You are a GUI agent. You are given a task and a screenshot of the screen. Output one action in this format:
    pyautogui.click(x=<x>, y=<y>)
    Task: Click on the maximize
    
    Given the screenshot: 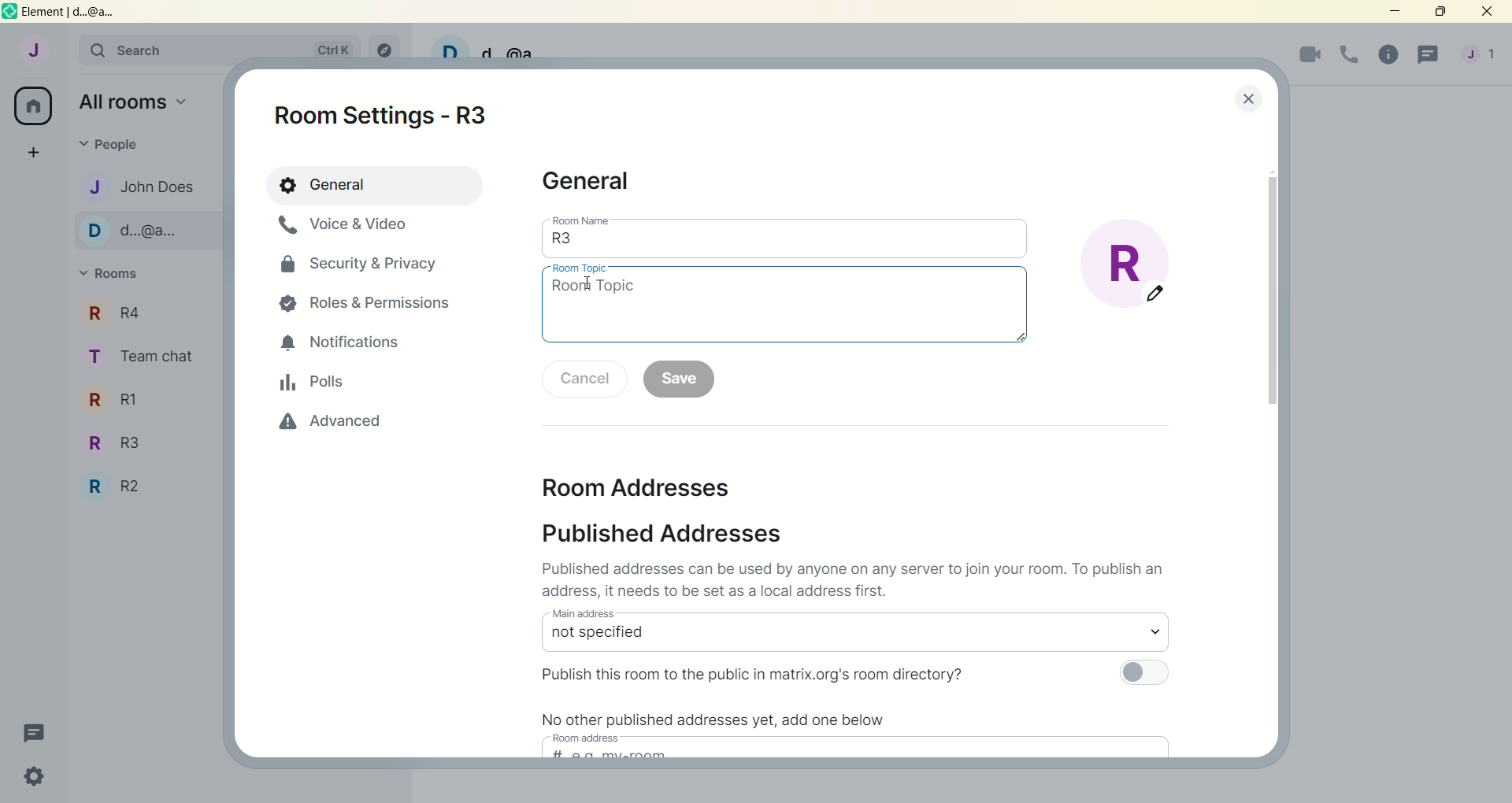 What is the action you would take?
    pyautogui.click(x=1447, y=15)
    